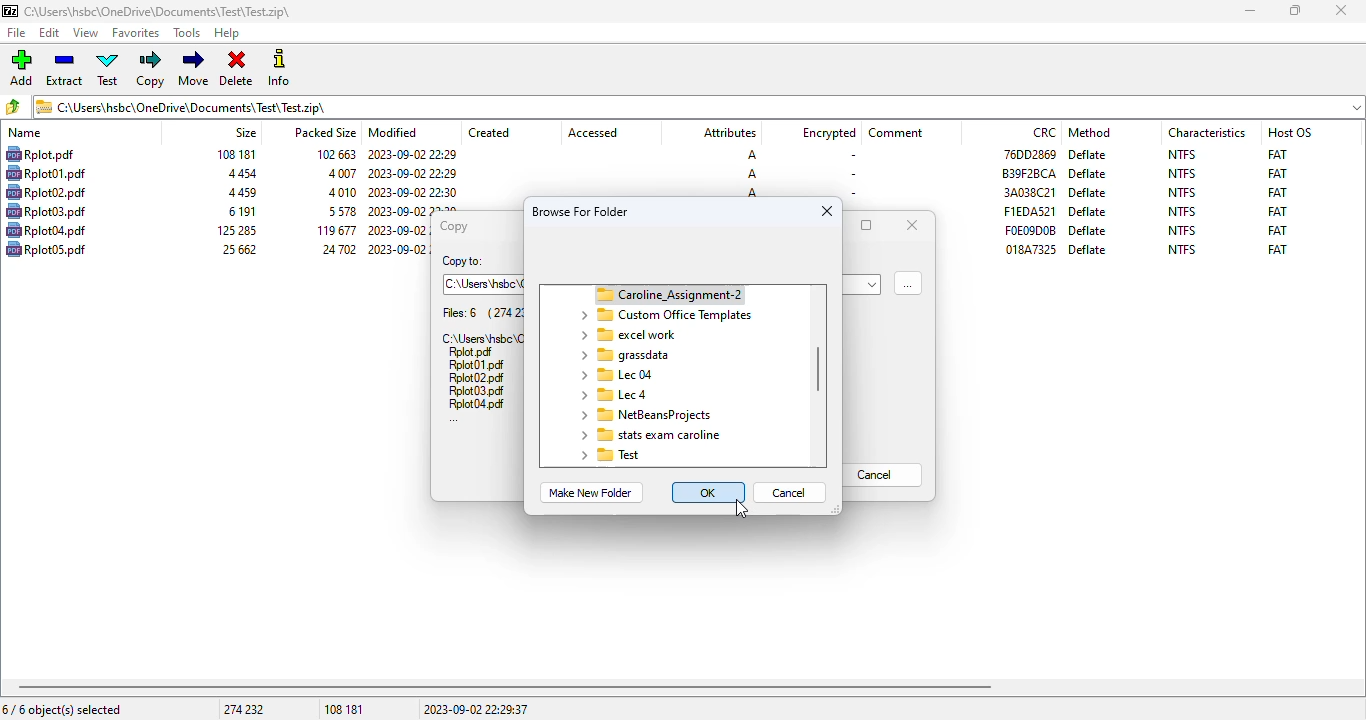  I want to click on size, so click(235, 154).